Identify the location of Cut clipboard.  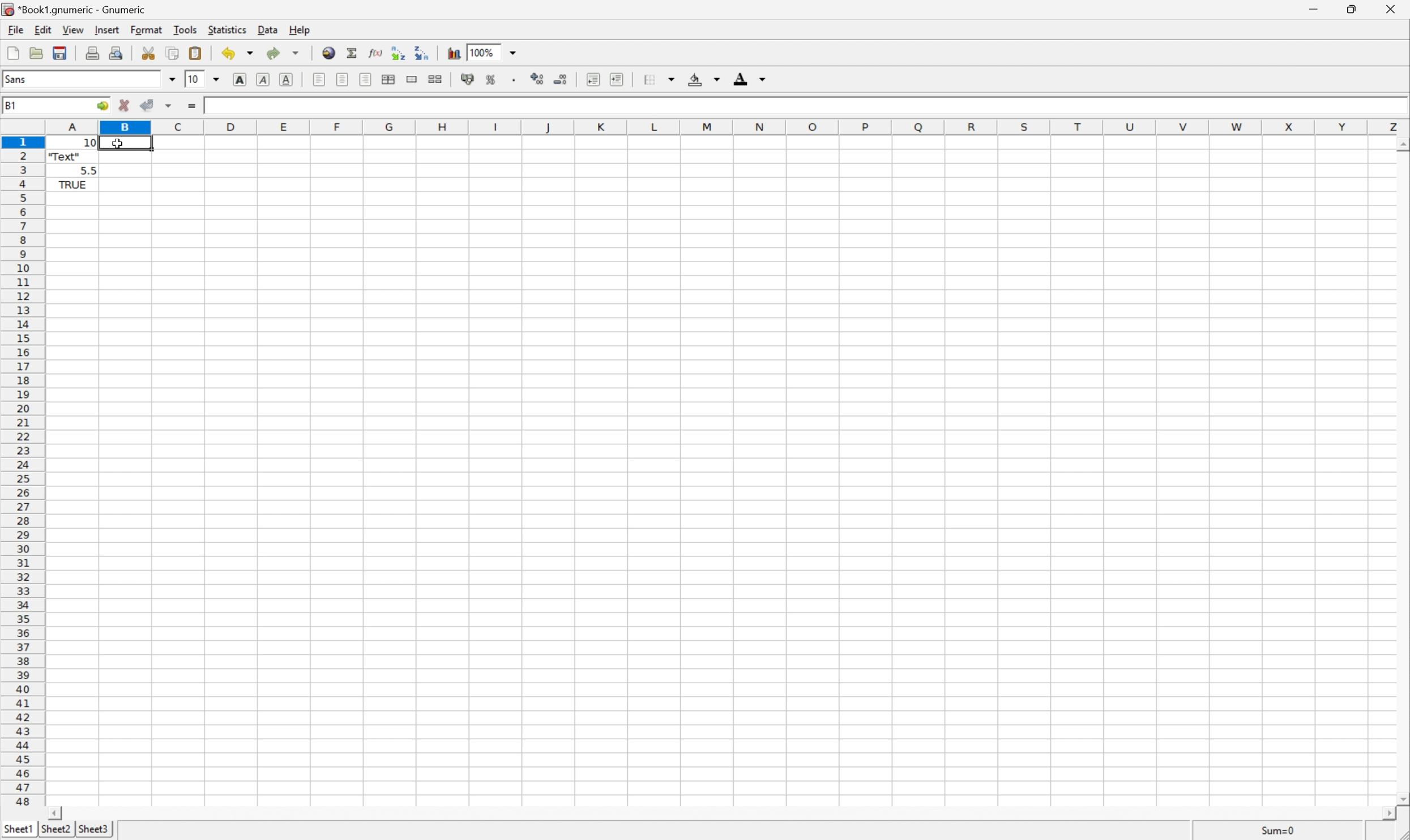
(148, 53).